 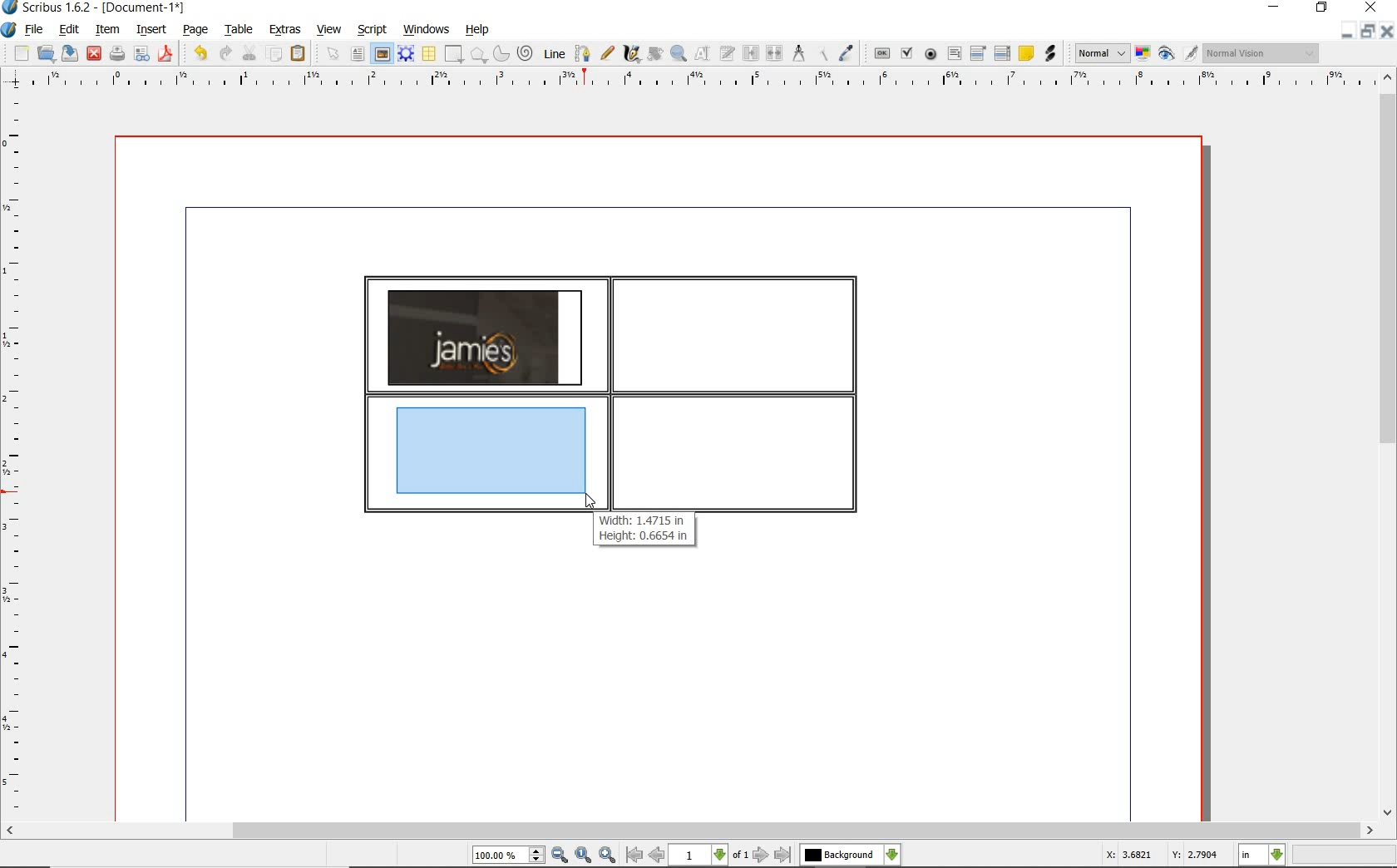 What do you see at coordinates (426, 30) in the screenshot?
I see `windows` at bounding box center [426, 30].